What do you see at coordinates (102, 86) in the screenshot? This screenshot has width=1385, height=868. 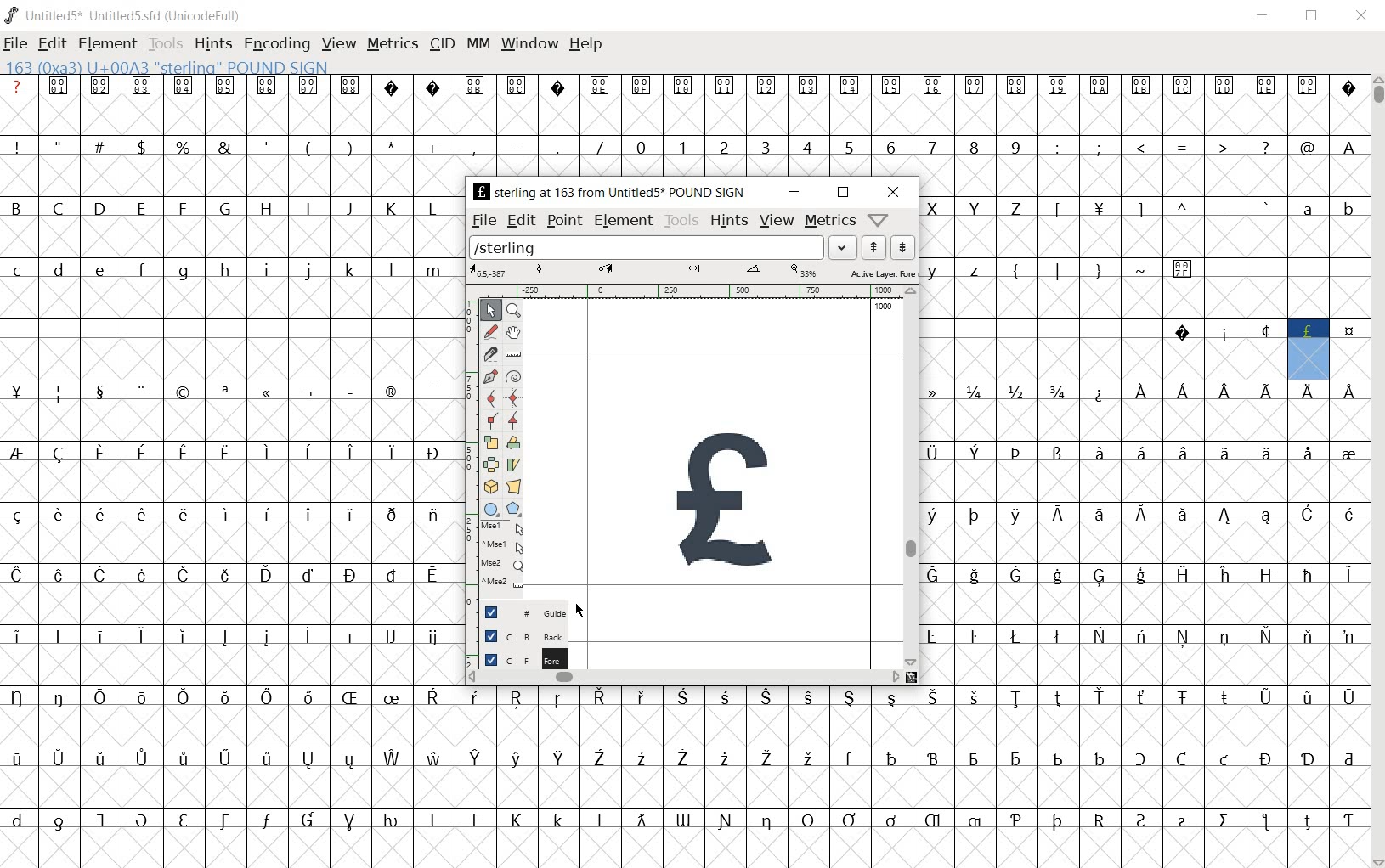 I see `Symbol` at bounding box center [102, 86].